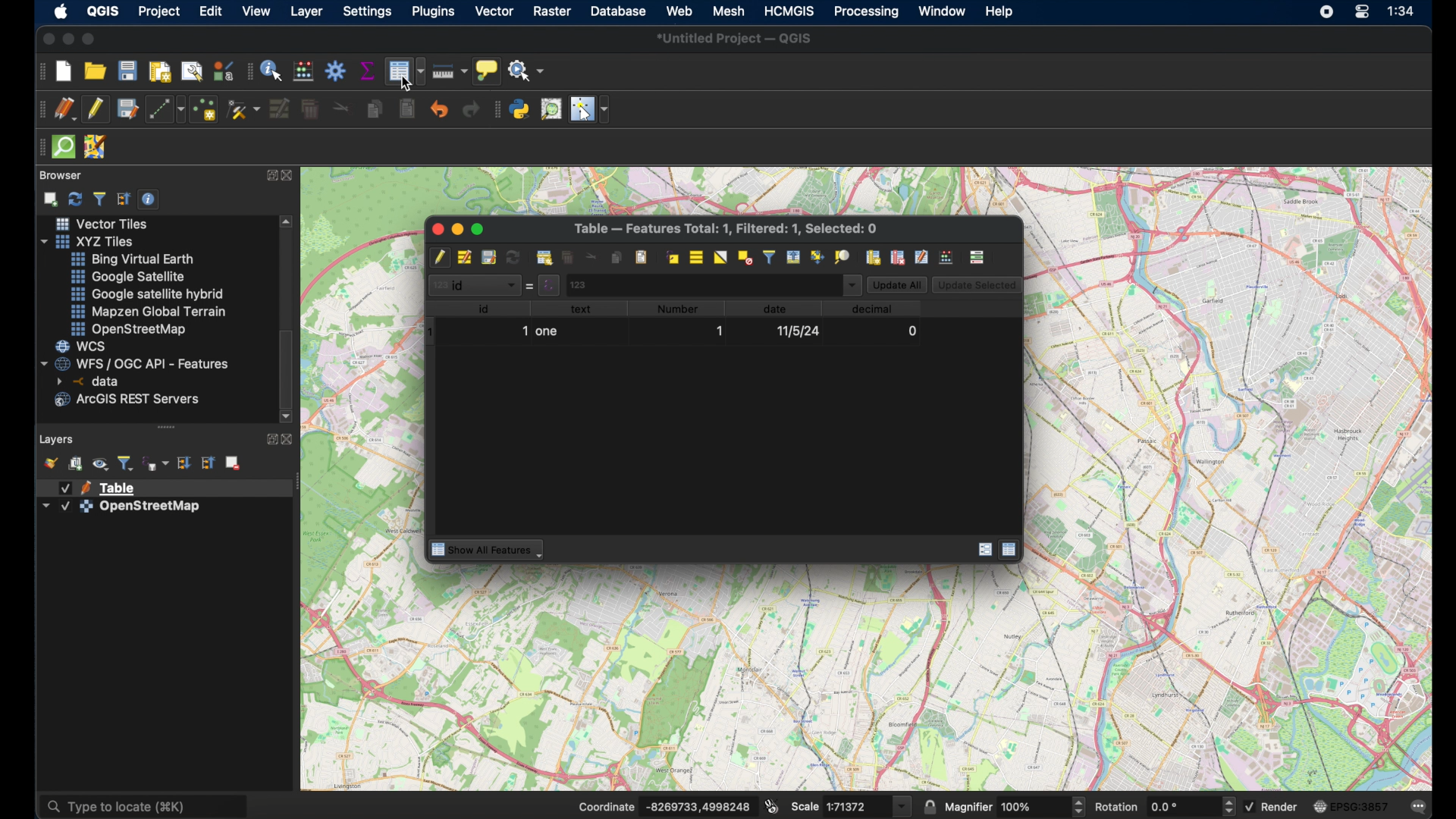 The width and height of the screenshot is (1456, 819). Describe the element at coordinates (254, 11) in the screenshot. I see `view` at that location.